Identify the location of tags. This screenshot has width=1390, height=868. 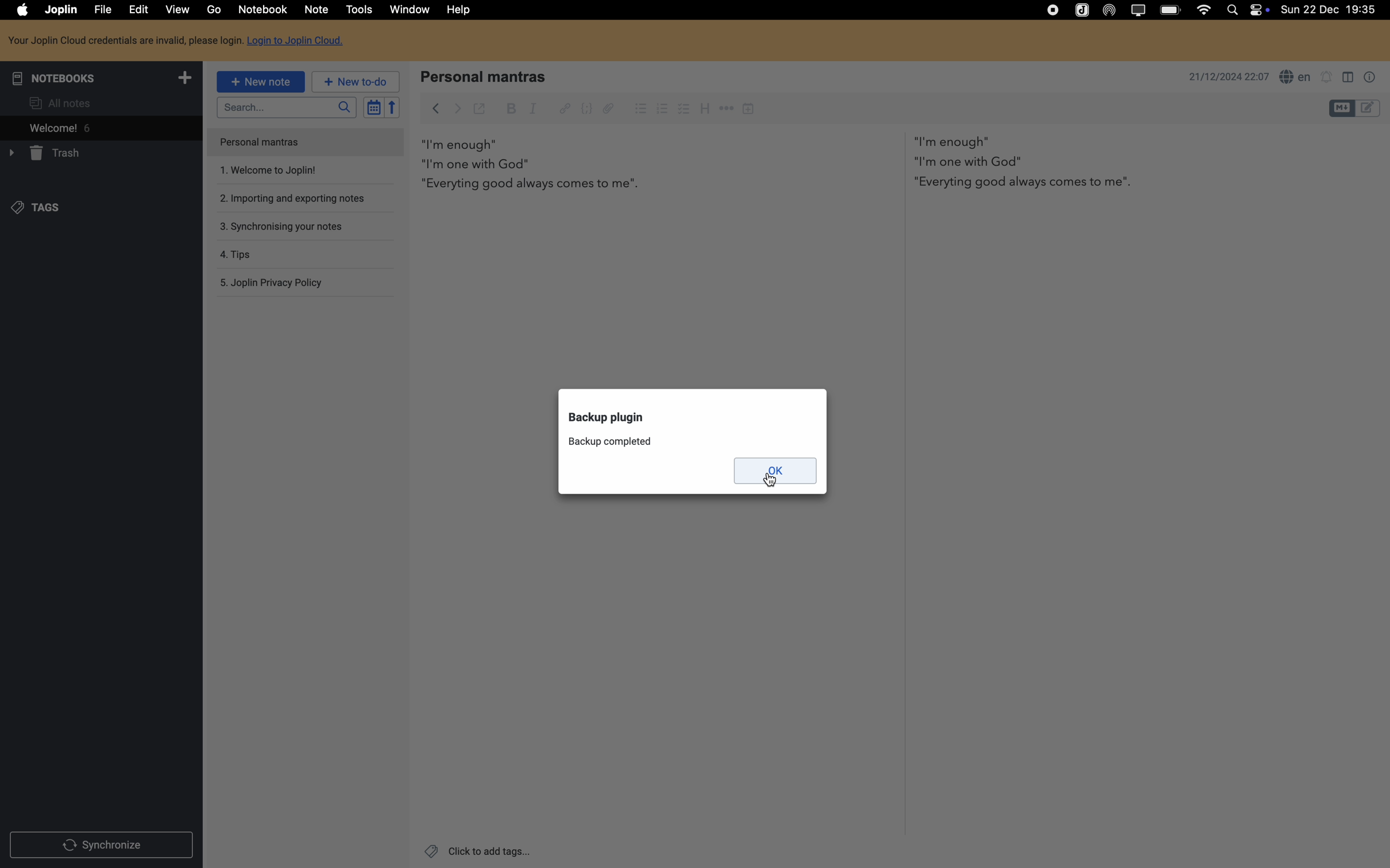
(37, 207).